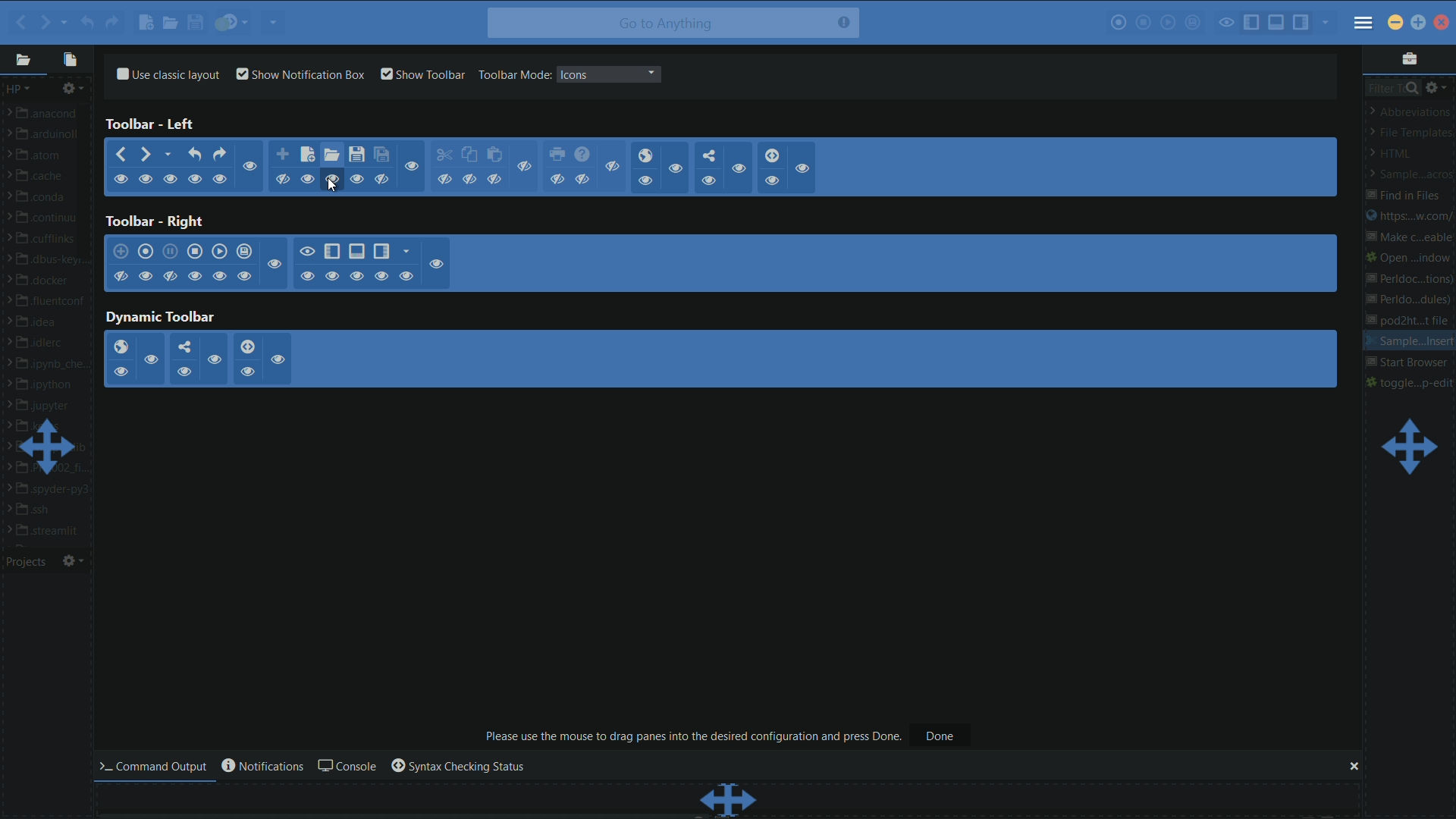 The image size is (1456, 819). I want to click on hide/show, so click(169, 276).